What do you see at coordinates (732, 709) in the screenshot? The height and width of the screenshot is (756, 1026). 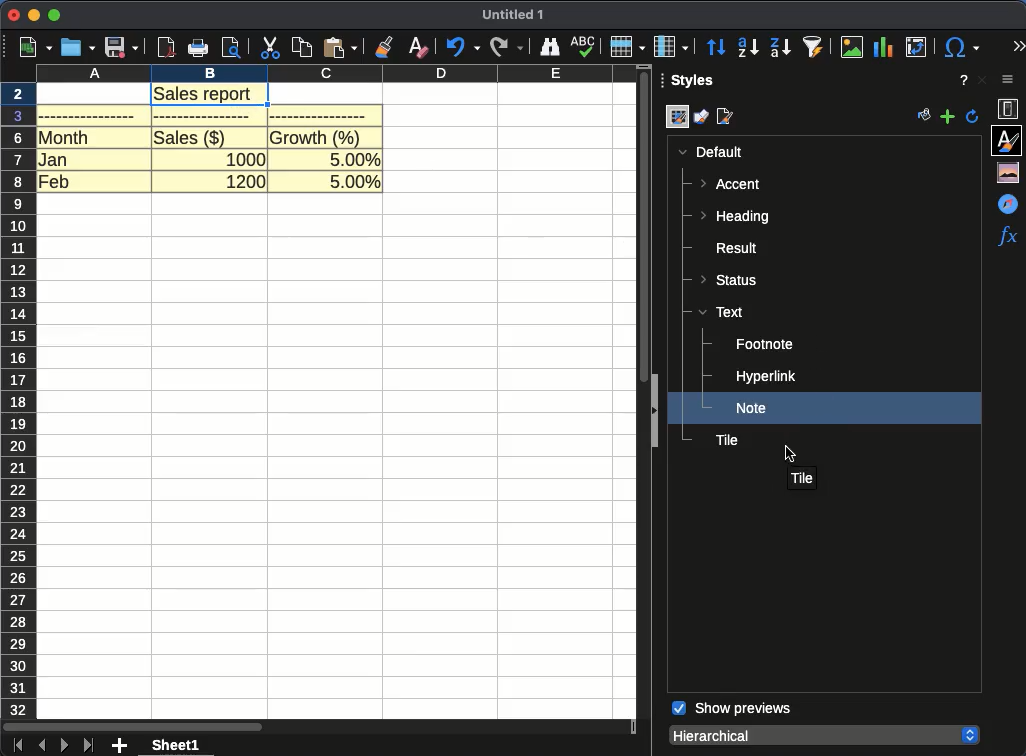 I see `show previews` at bounding box center [732, 709].